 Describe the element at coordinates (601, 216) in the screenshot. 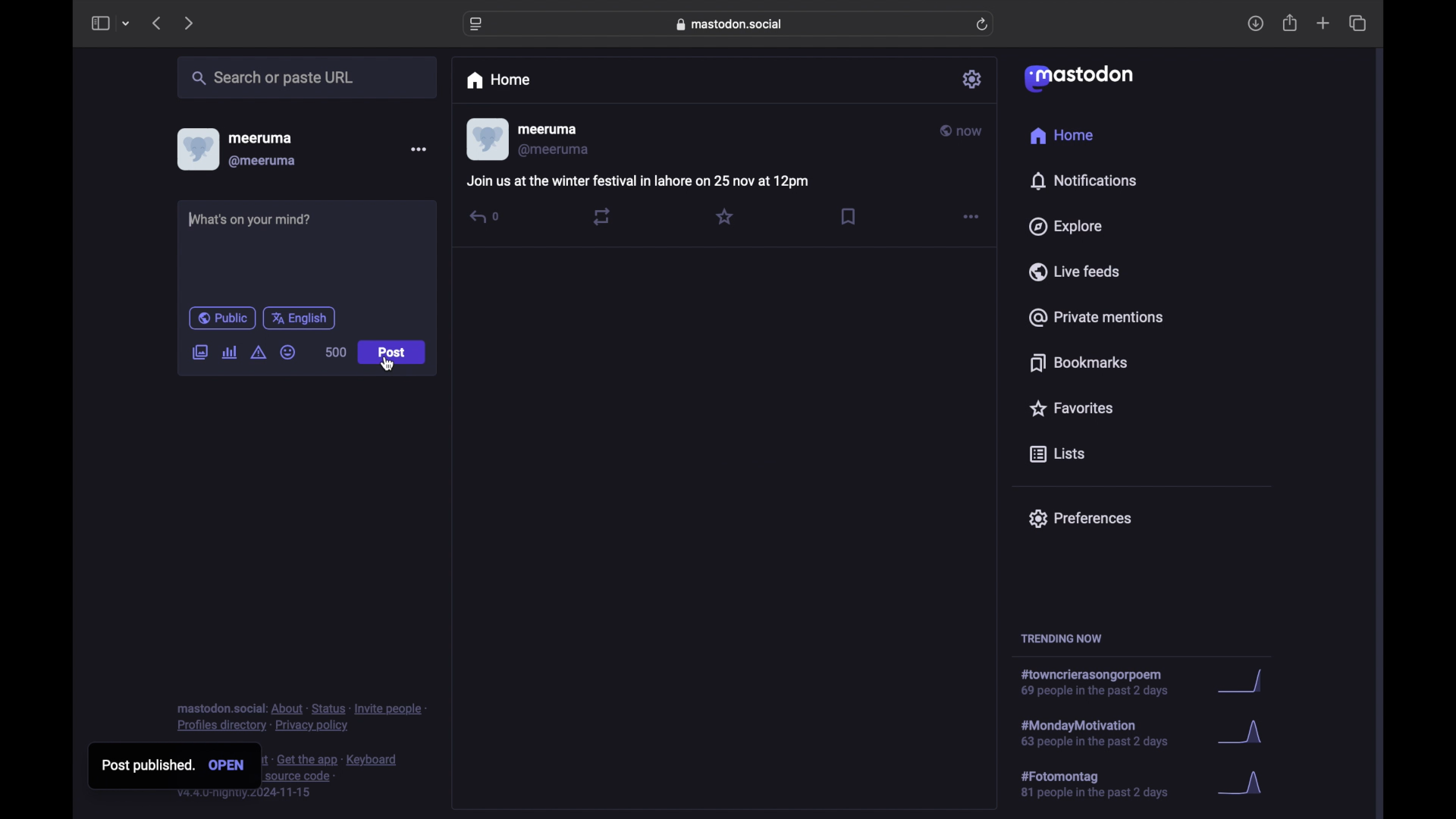

I see `repost` at that location.